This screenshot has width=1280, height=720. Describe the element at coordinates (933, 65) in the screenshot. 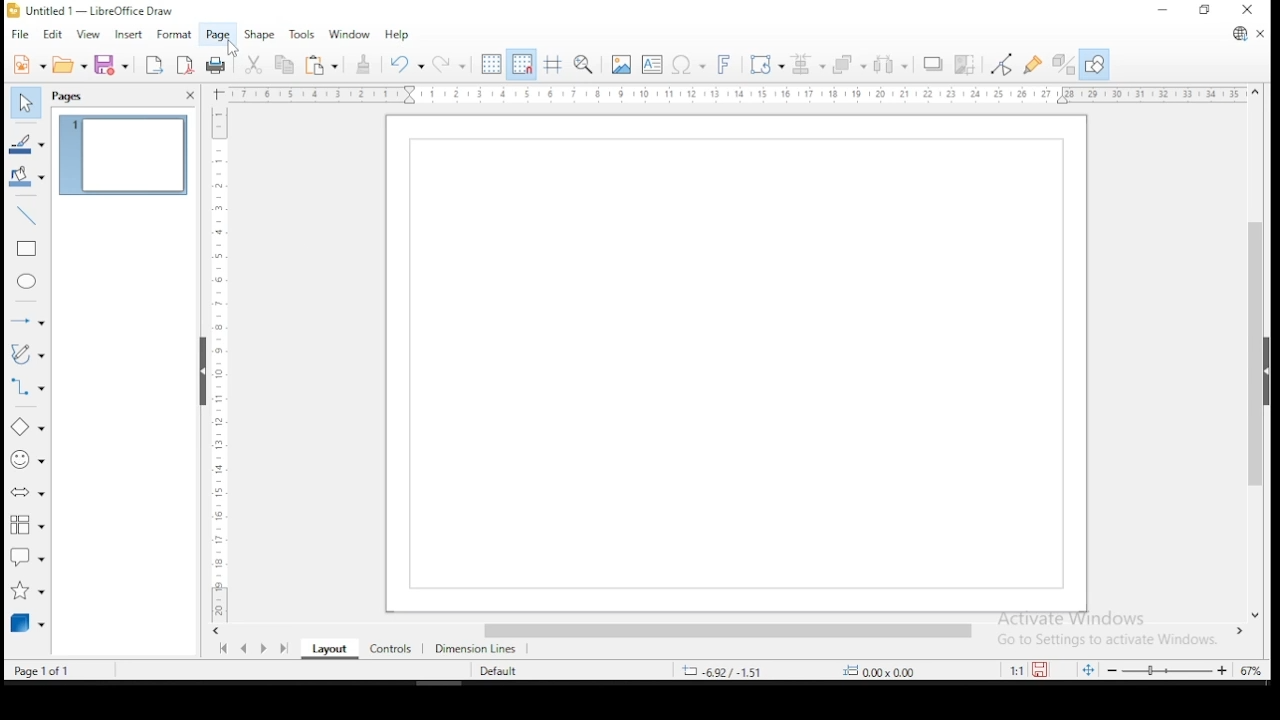

I see `shadow` at that location.